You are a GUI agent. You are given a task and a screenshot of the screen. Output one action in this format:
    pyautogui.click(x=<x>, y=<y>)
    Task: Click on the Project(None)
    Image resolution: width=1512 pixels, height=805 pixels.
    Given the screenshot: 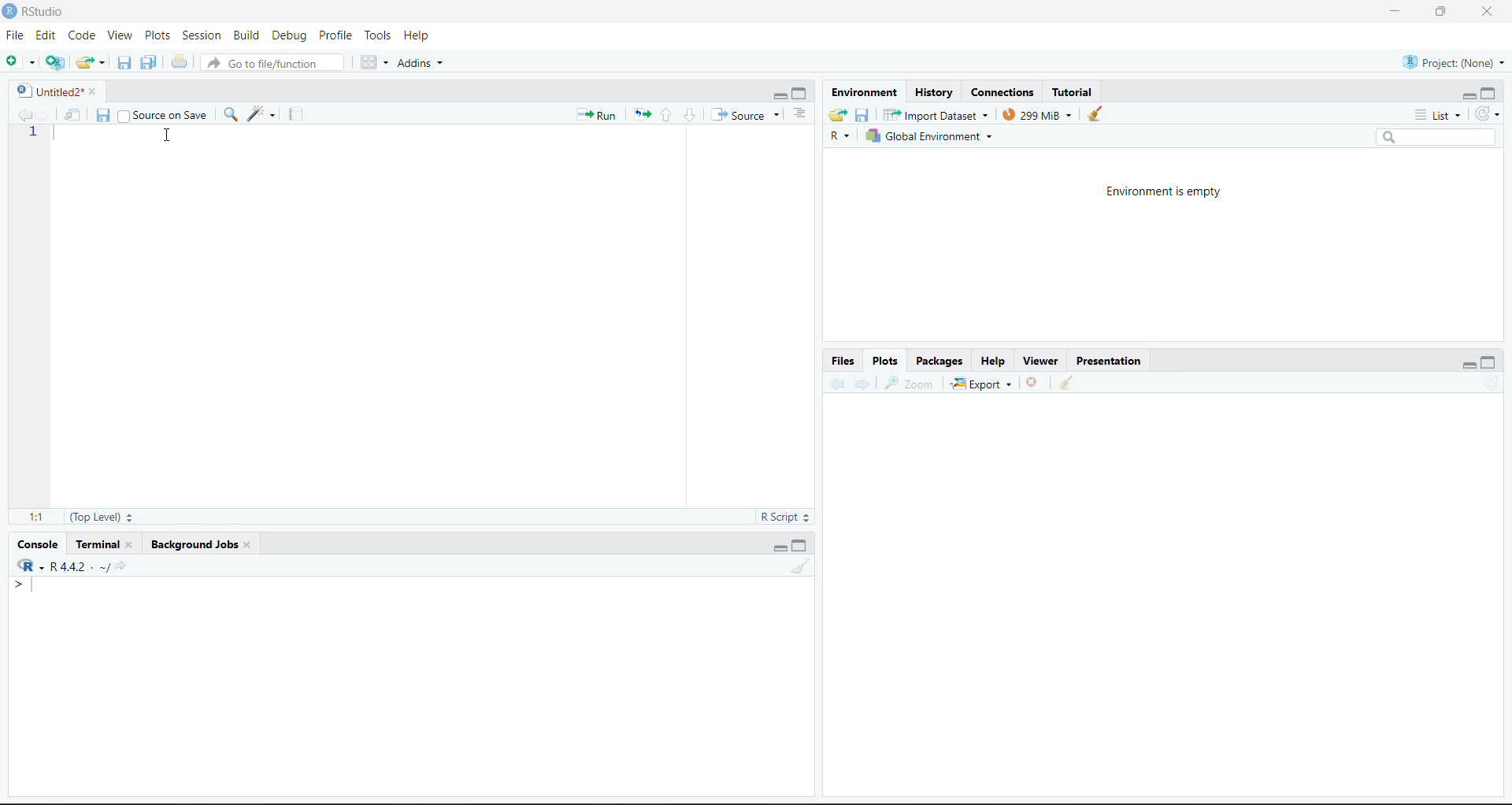 What is the action you would take?
    pyautogui.click(x=1457, y=62)
    